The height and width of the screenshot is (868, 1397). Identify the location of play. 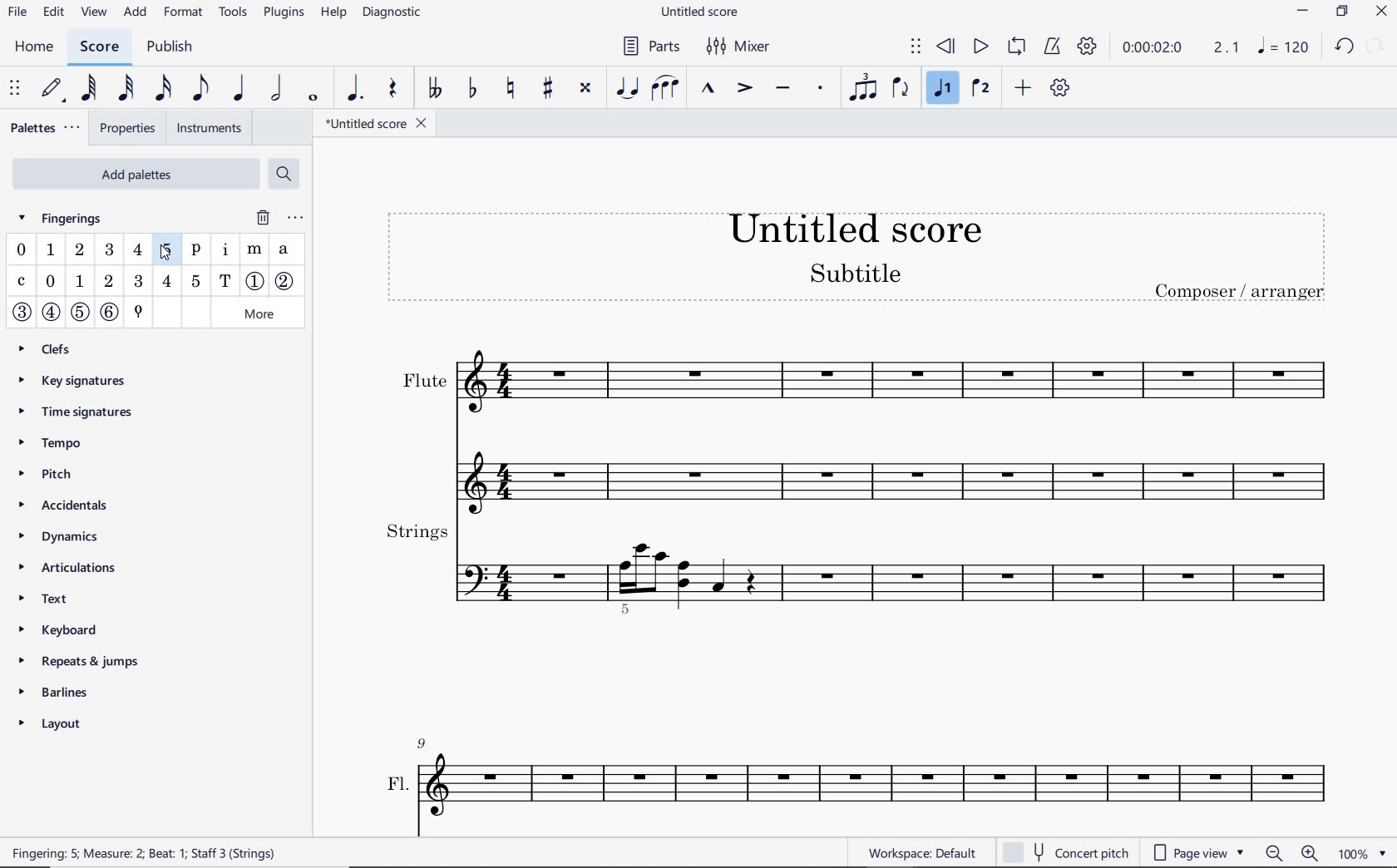
(980, 47).